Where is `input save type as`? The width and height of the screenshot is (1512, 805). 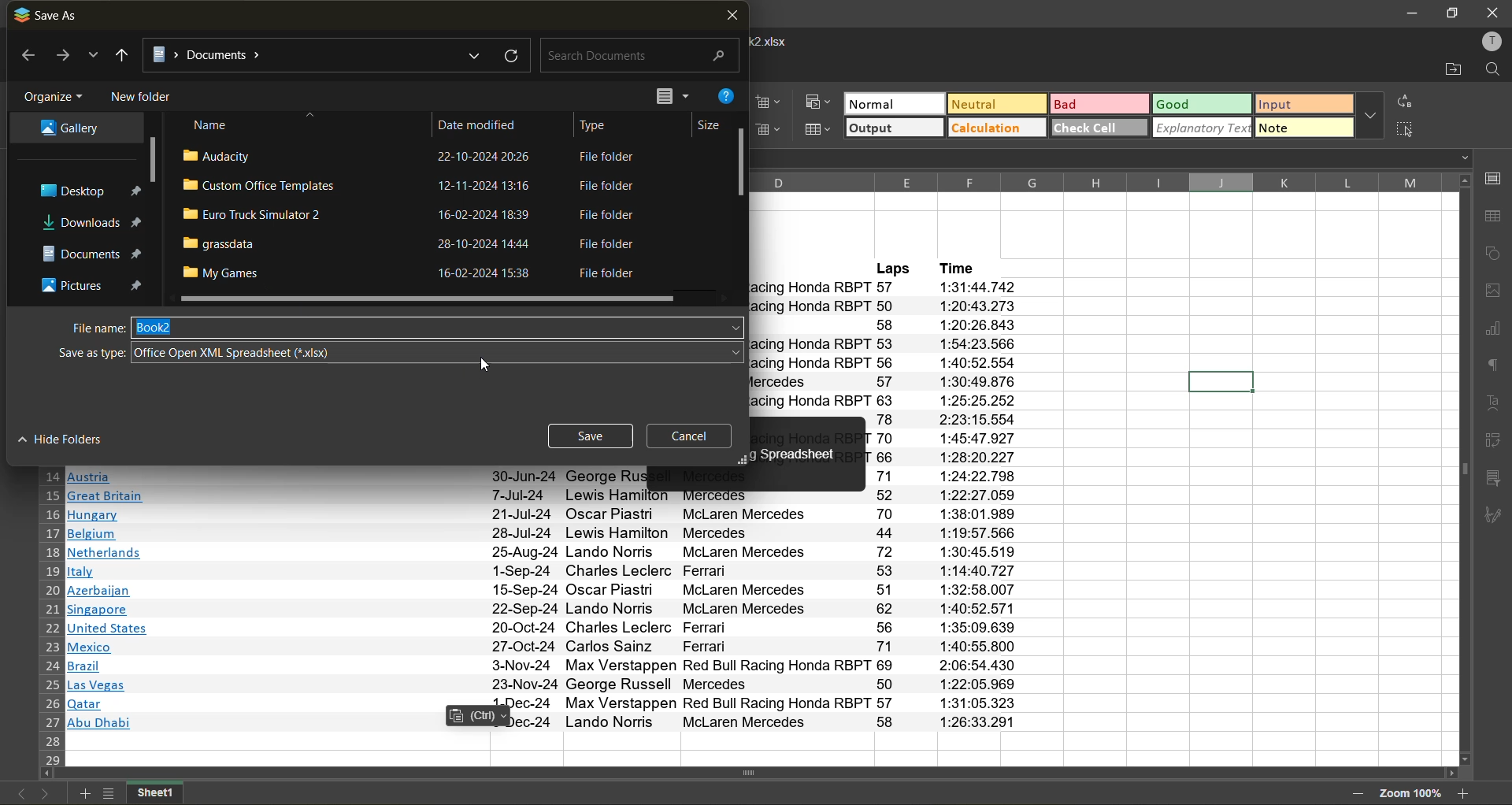
input save type as is located at coordinates (438, 352).